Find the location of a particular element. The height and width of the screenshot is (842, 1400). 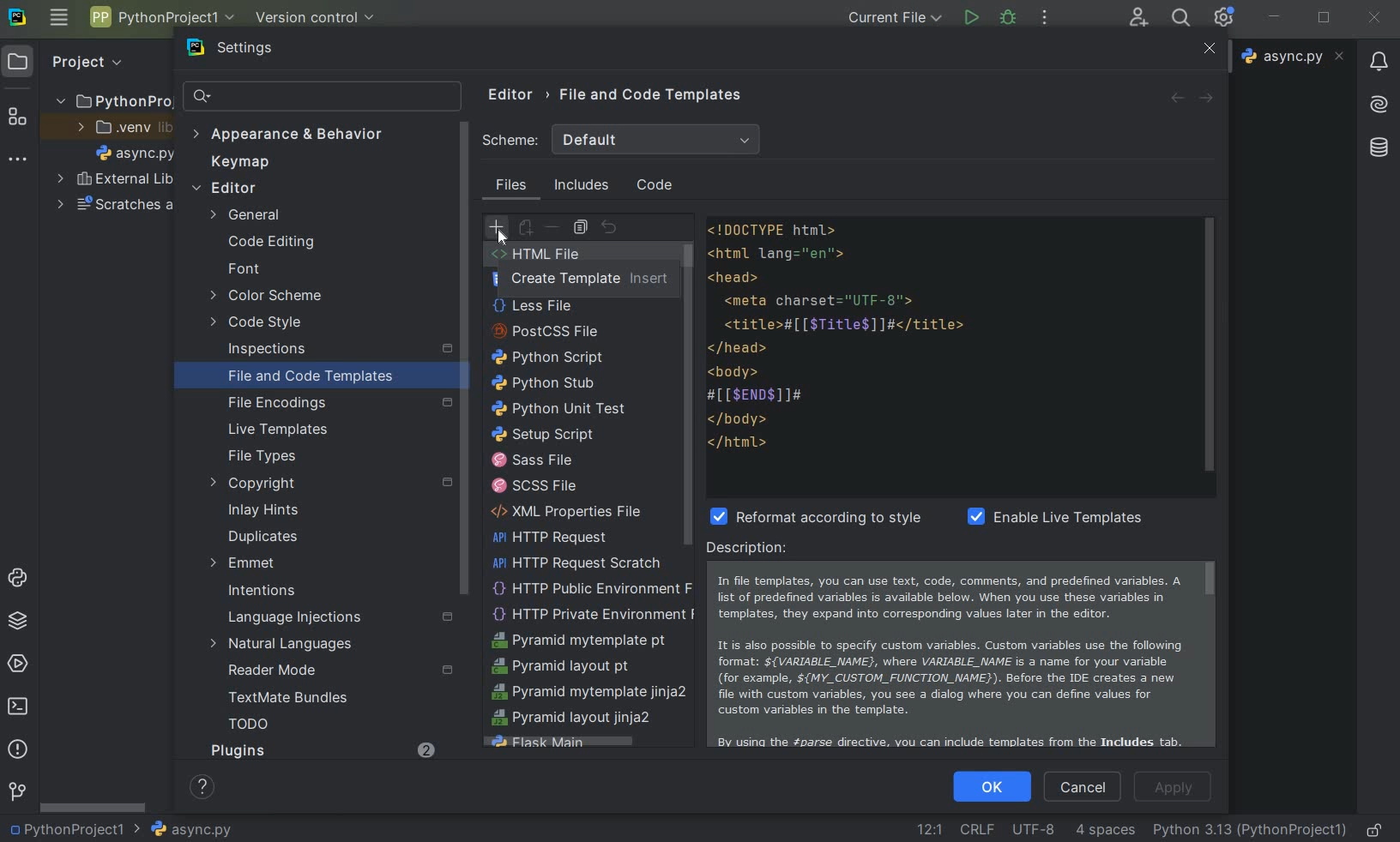

line separator is located at coordinates (979, 828).